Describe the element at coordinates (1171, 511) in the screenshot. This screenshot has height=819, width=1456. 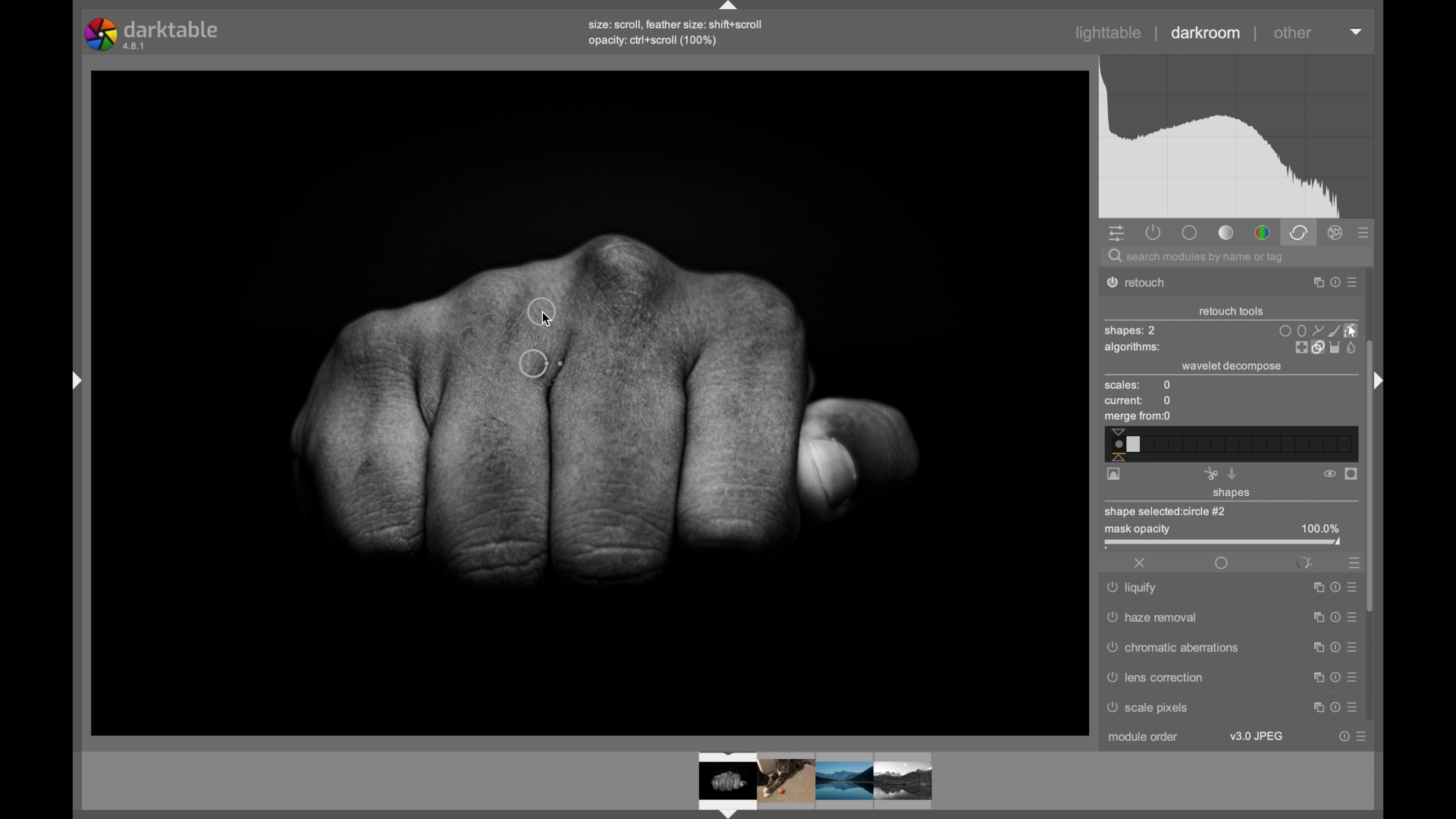
I see `shape selected:circle #2` at that location.